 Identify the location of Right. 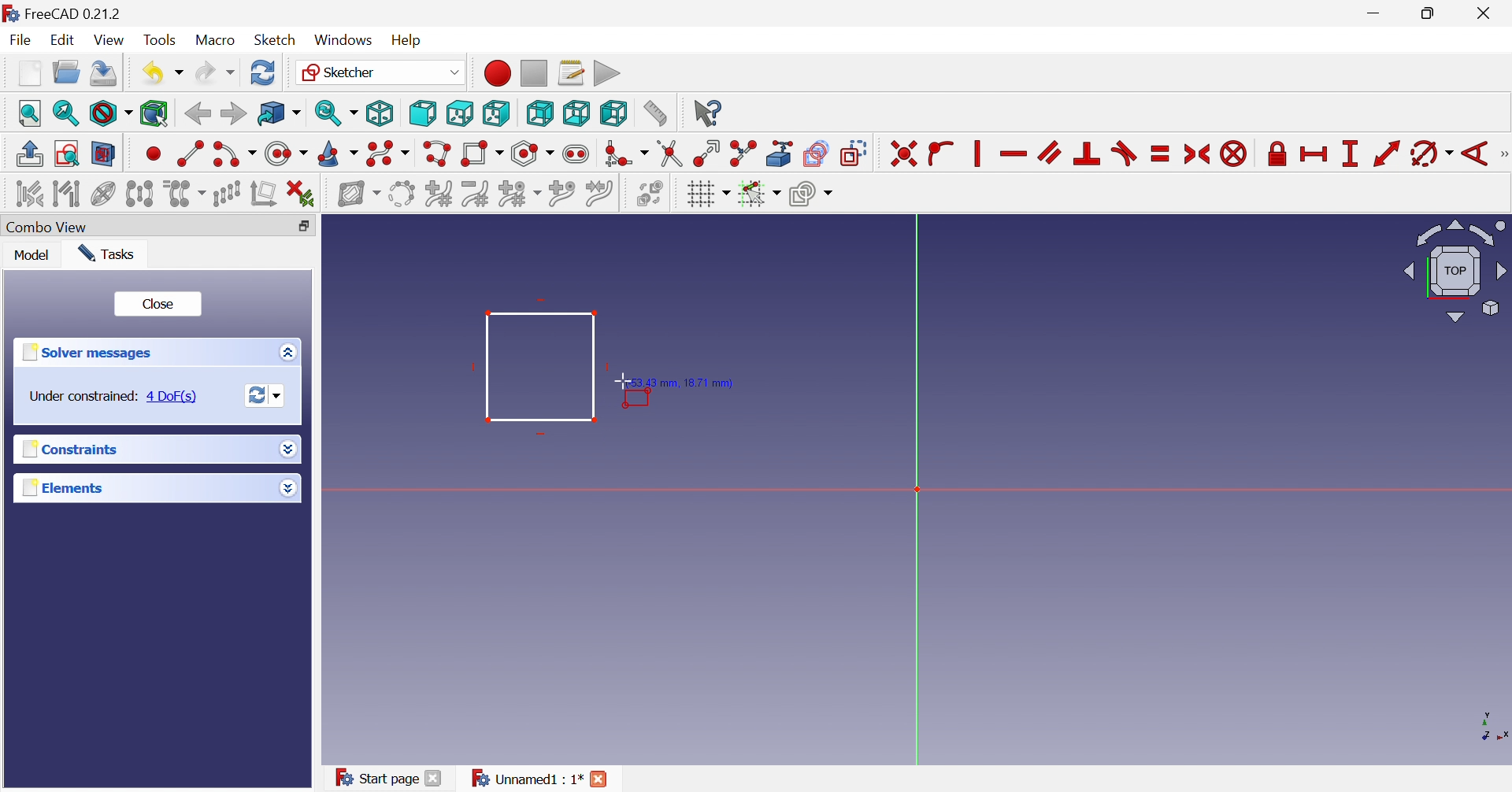
(495, 113).